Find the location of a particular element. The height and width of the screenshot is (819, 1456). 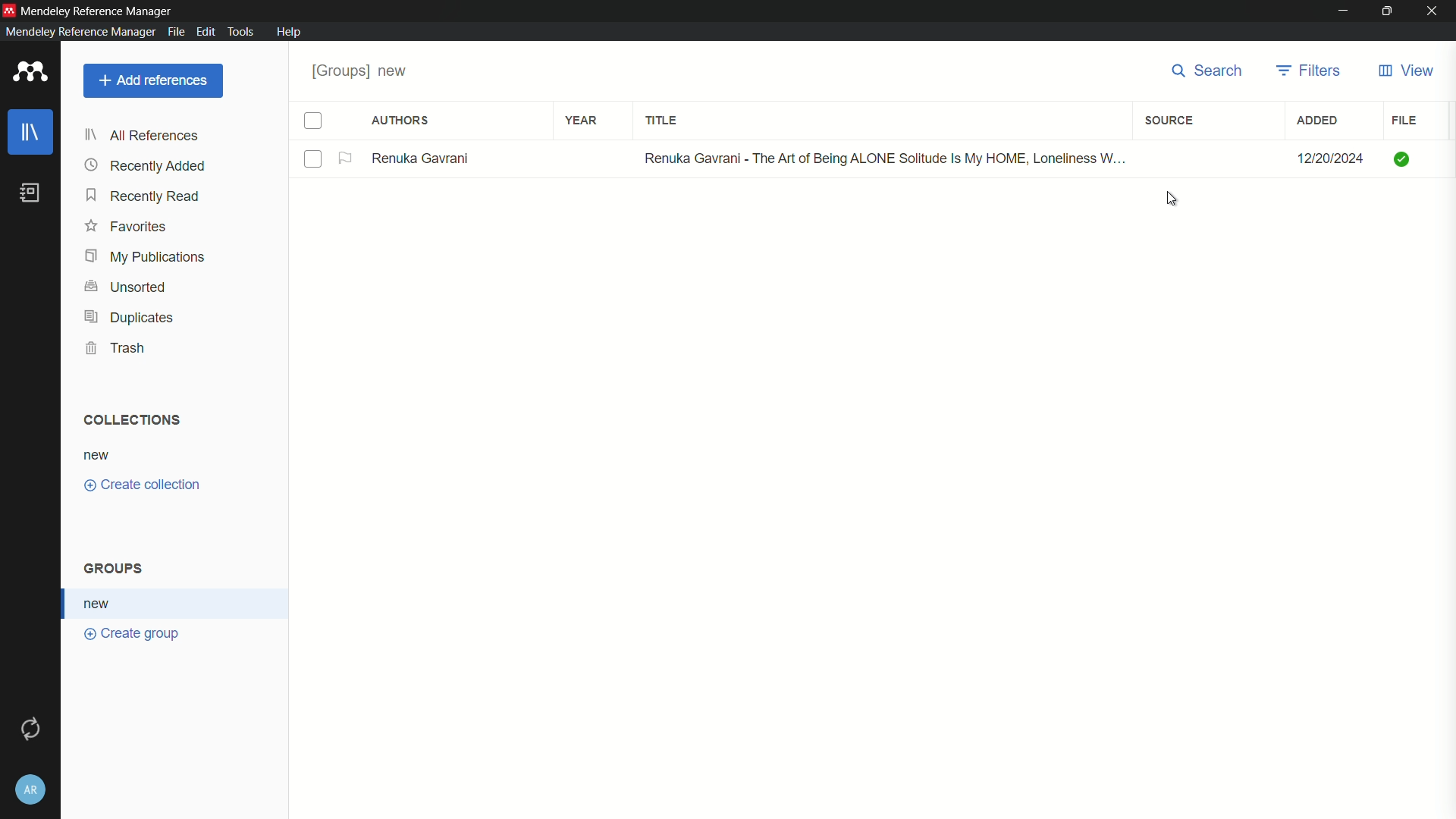

tools is located at coordinates (241, 33).